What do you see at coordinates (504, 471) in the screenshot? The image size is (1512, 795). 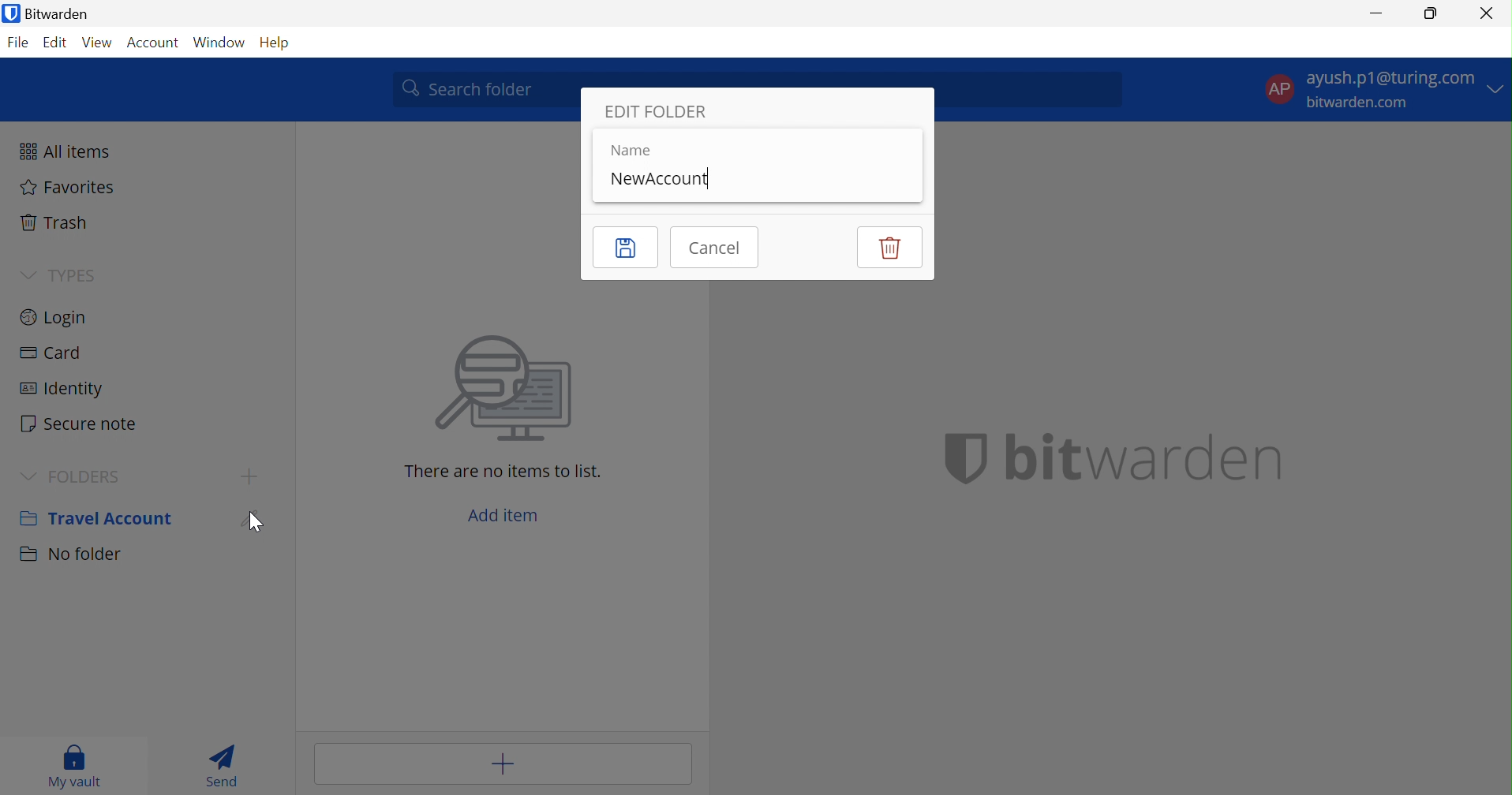 I see `There are no items to list` at bounding box center [504, 471].